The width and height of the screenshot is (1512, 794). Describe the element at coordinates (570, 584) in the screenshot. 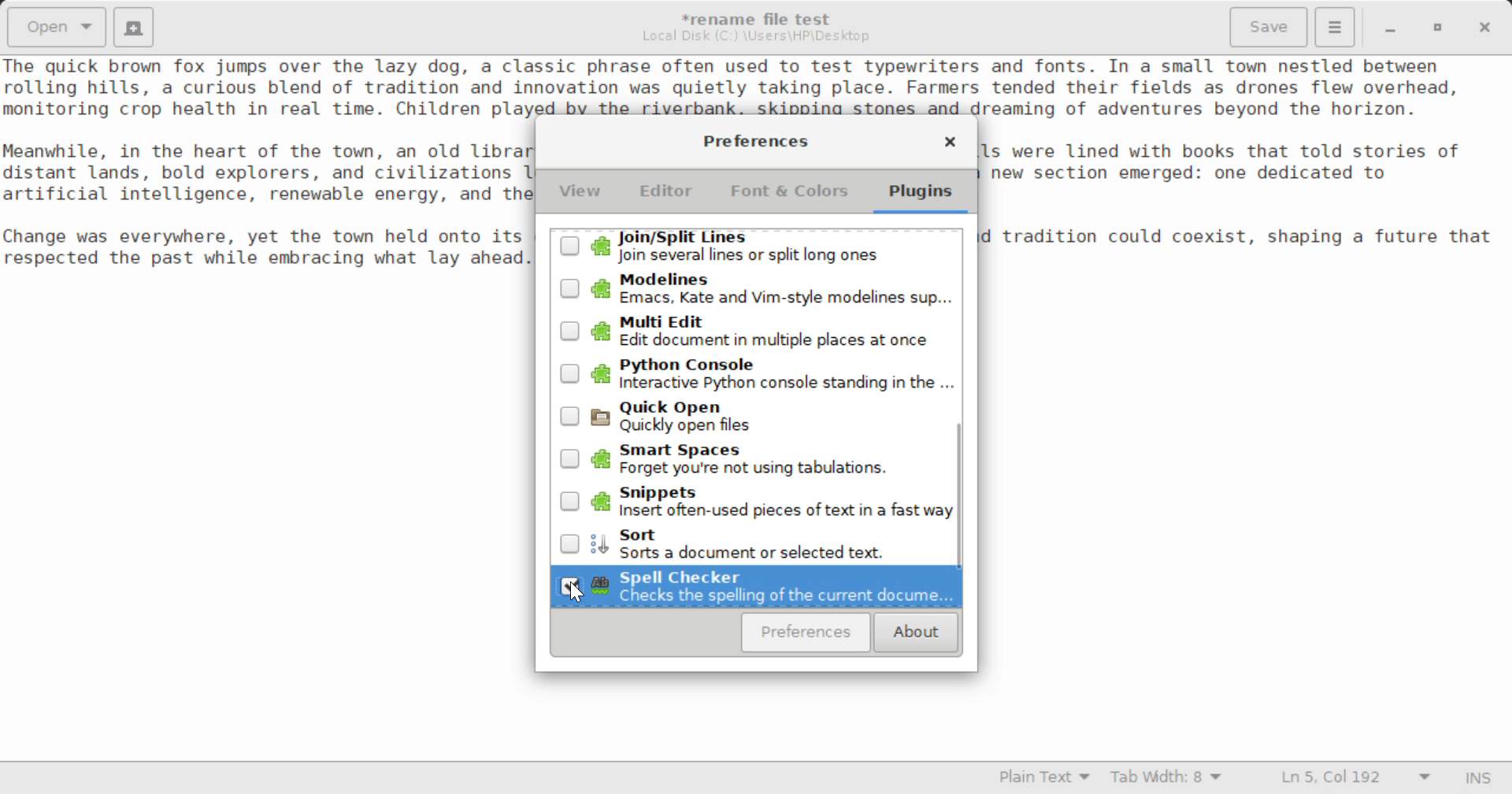

I see `Cursor Position to Unselect` at that location.